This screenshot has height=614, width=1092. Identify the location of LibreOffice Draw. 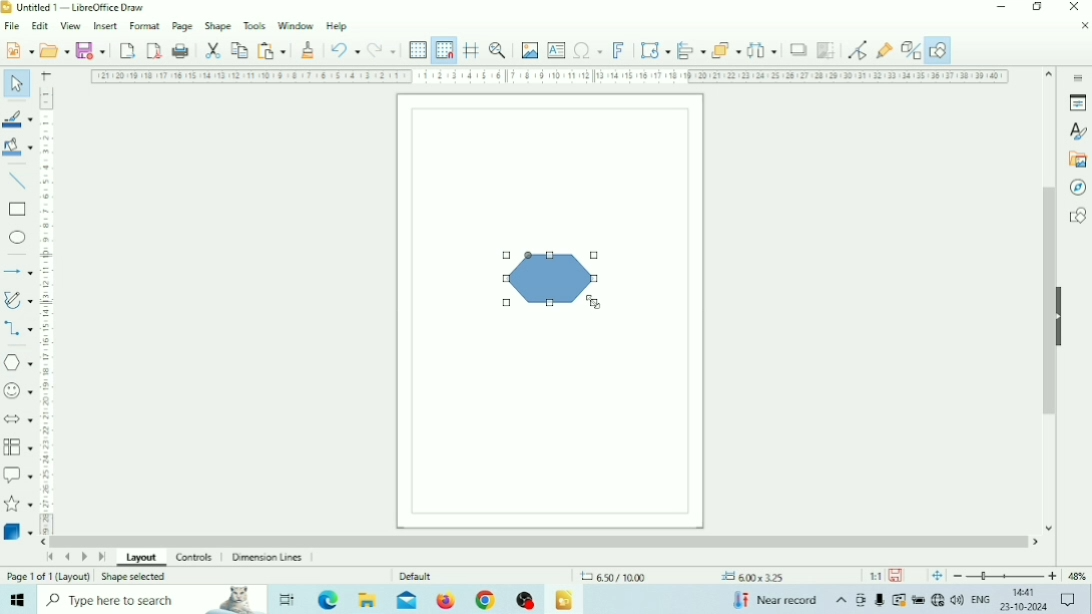
(564, 601).